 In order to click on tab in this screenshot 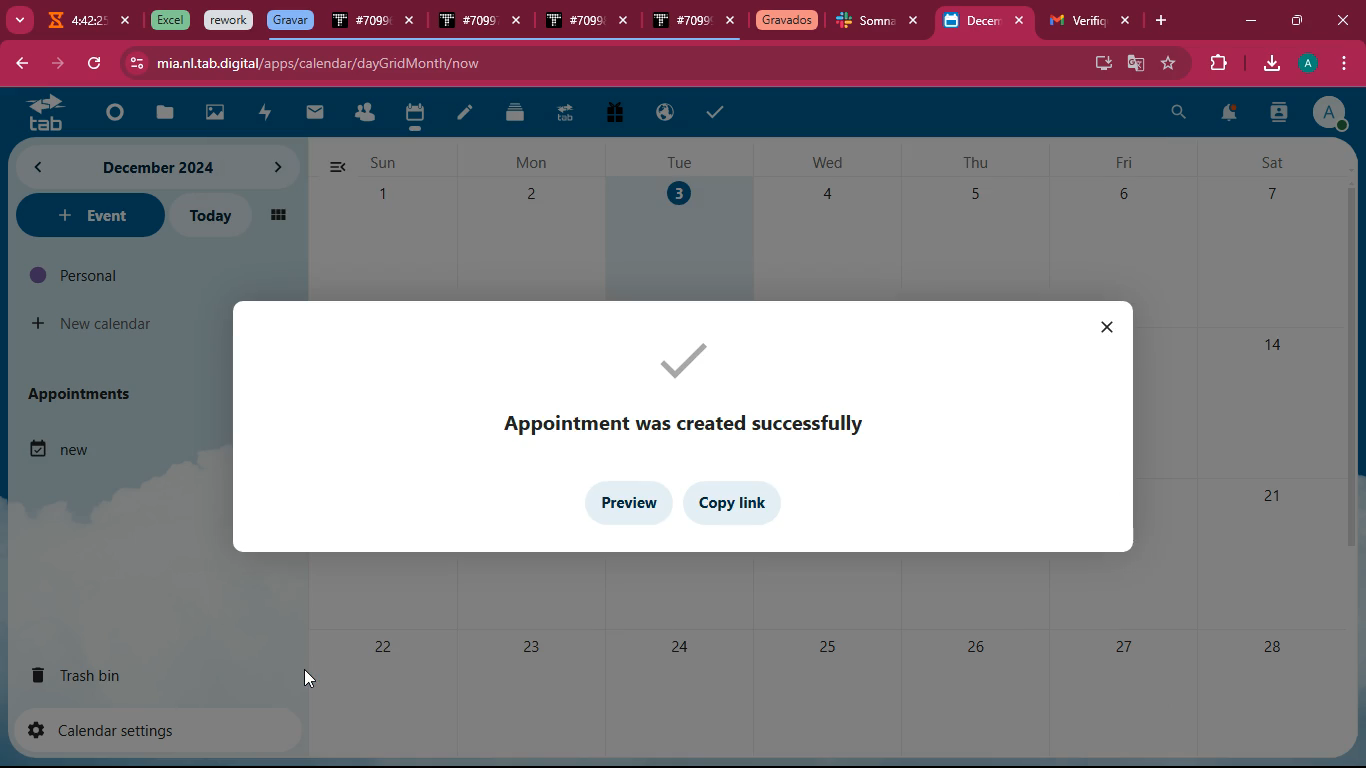, I will do `click(1074, 21)`.